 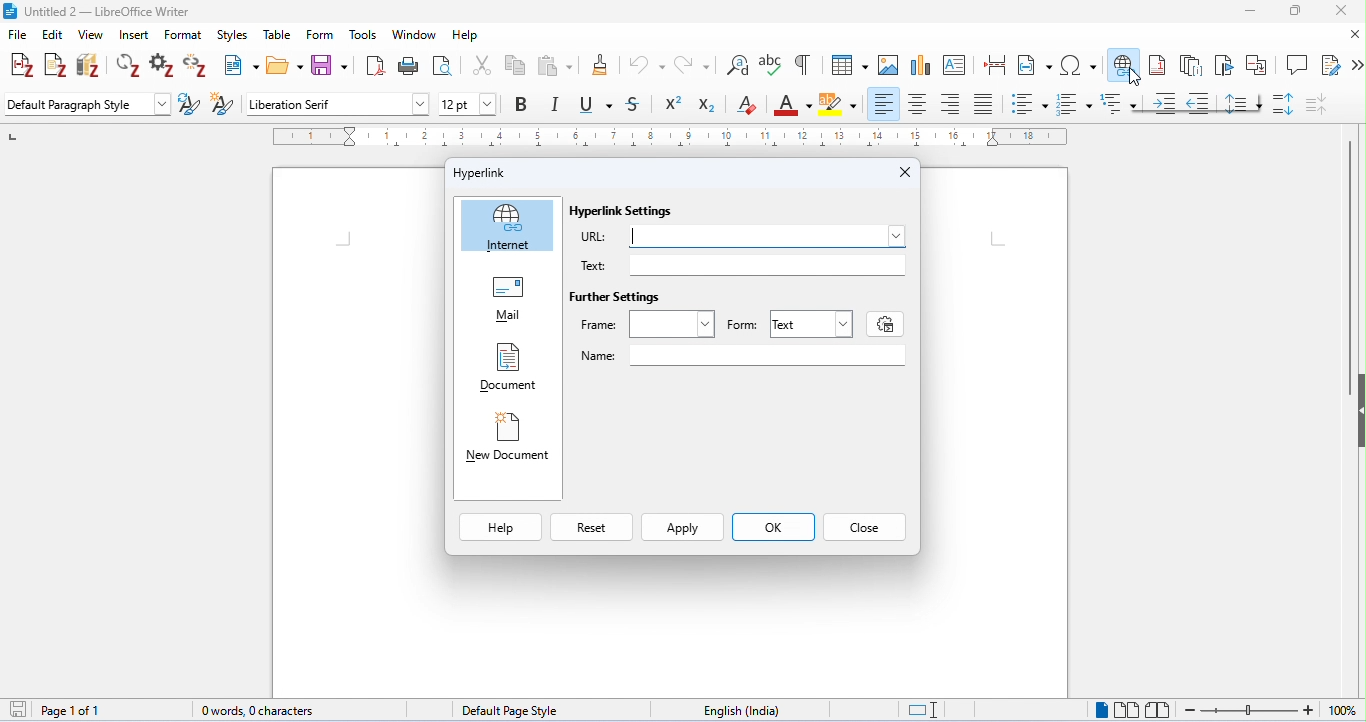 I want to click on new style from selection, so click(x=221, y=103).